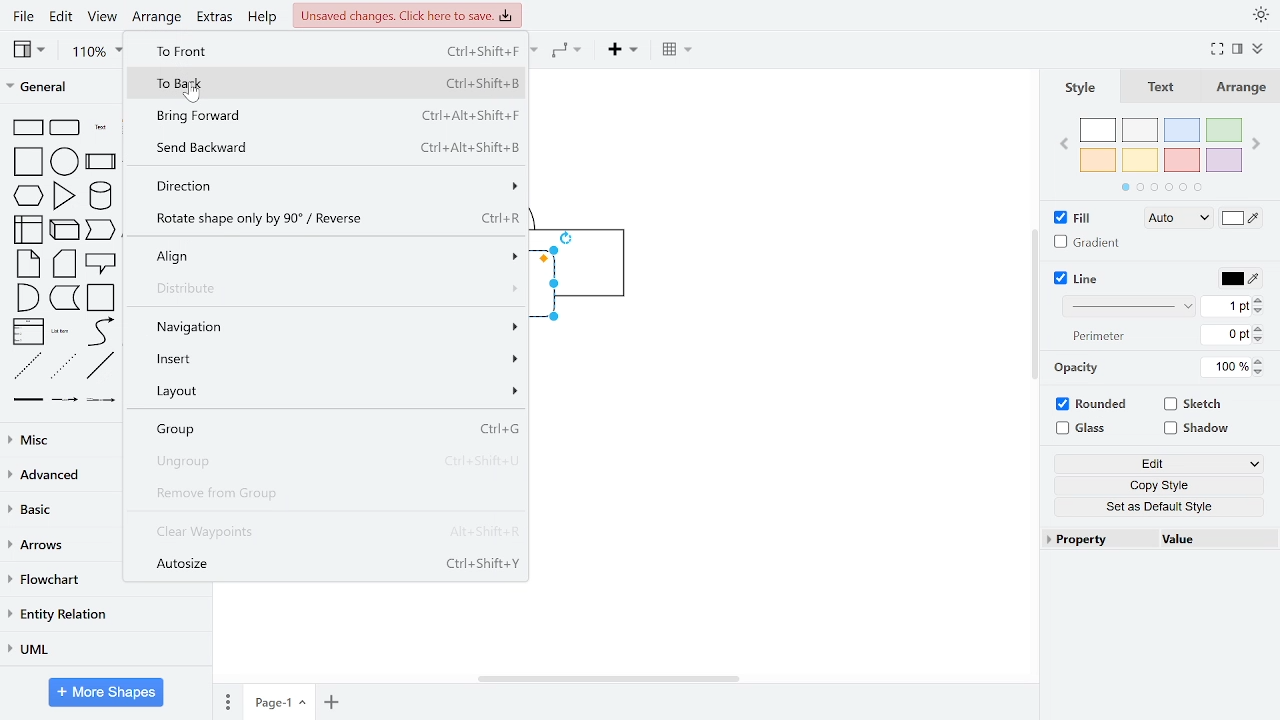  What do you see at coordinates (1258, 16) in the screenshot?
I see `appearance` at bounding box center [1258, 16].